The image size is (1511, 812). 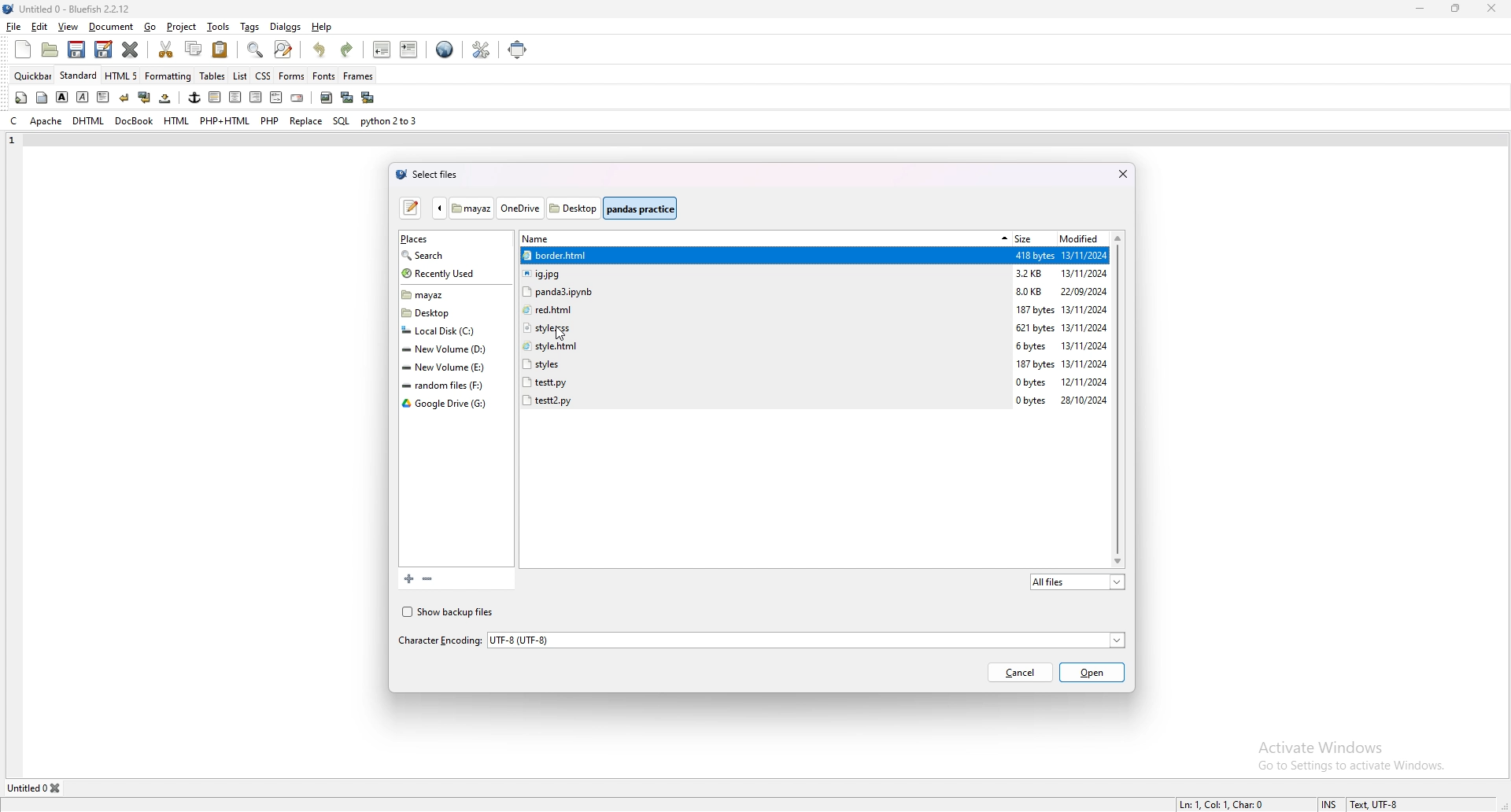 What do you see at coordinates (1085, 383) in the screenshot?
I see `12/11/2024` at bounding box center [1085, 383].